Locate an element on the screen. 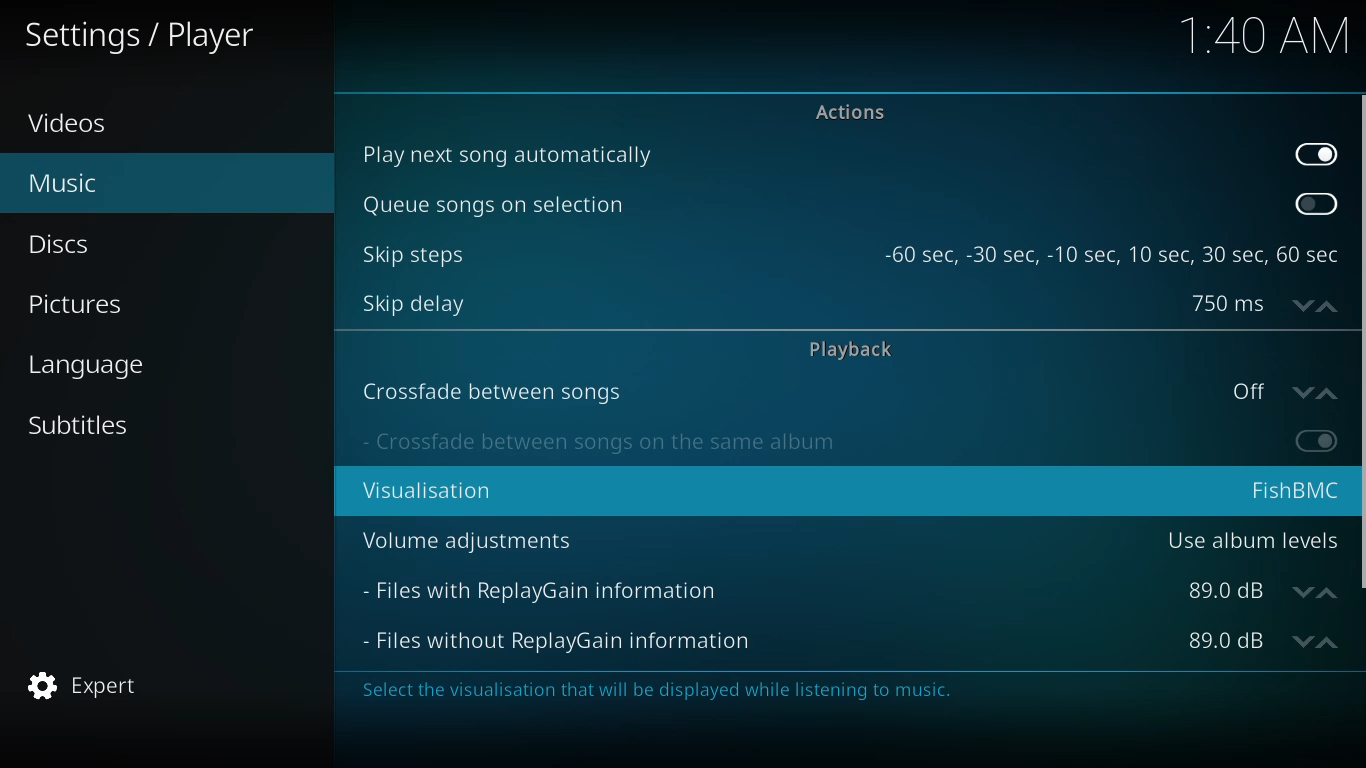 The width and height of the screenshot is (1366, 768). skip steps is located at coordinates (411, 254).